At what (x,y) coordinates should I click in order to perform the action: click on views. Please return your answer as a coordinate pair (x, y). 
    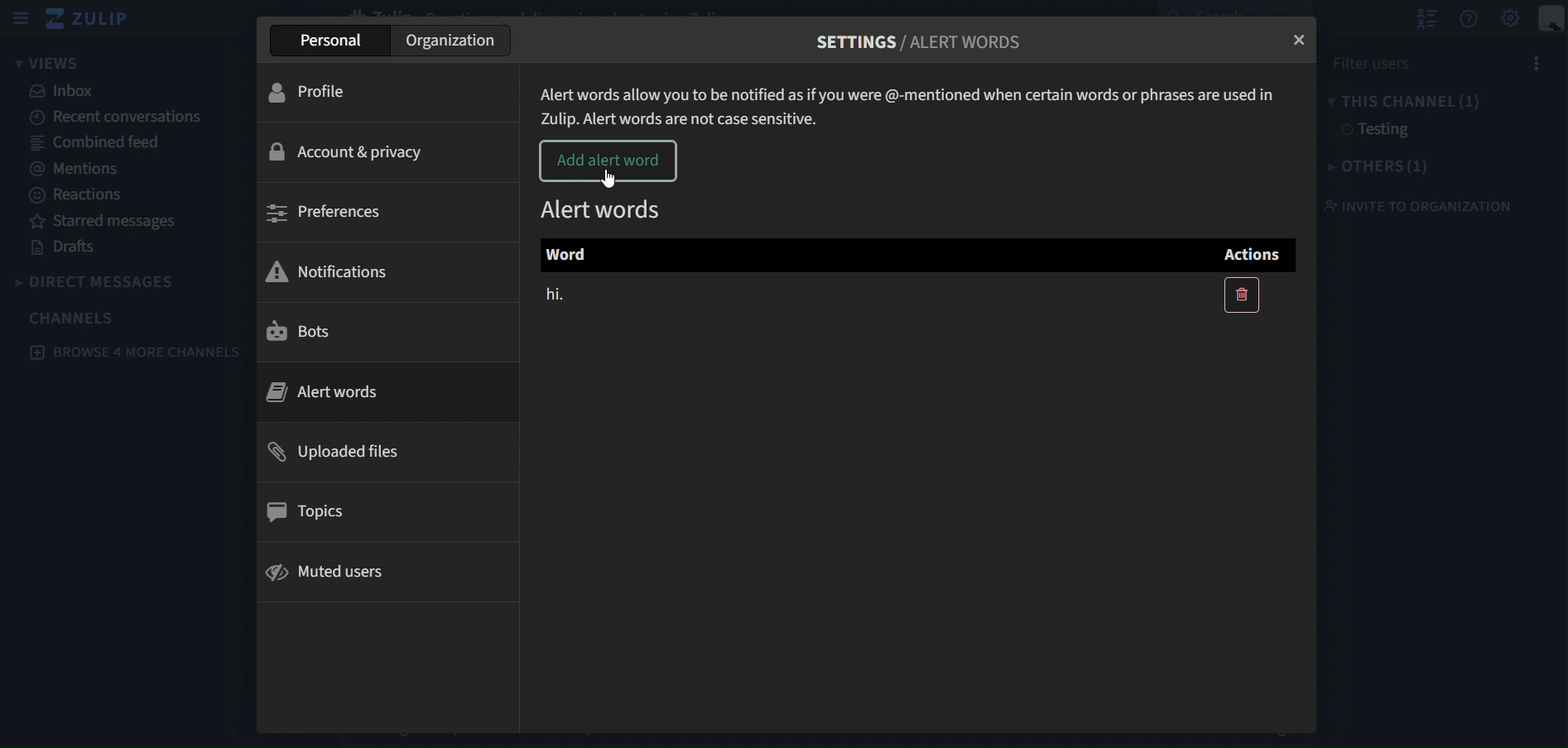
    Looking at the image, I should click on (58, 63).